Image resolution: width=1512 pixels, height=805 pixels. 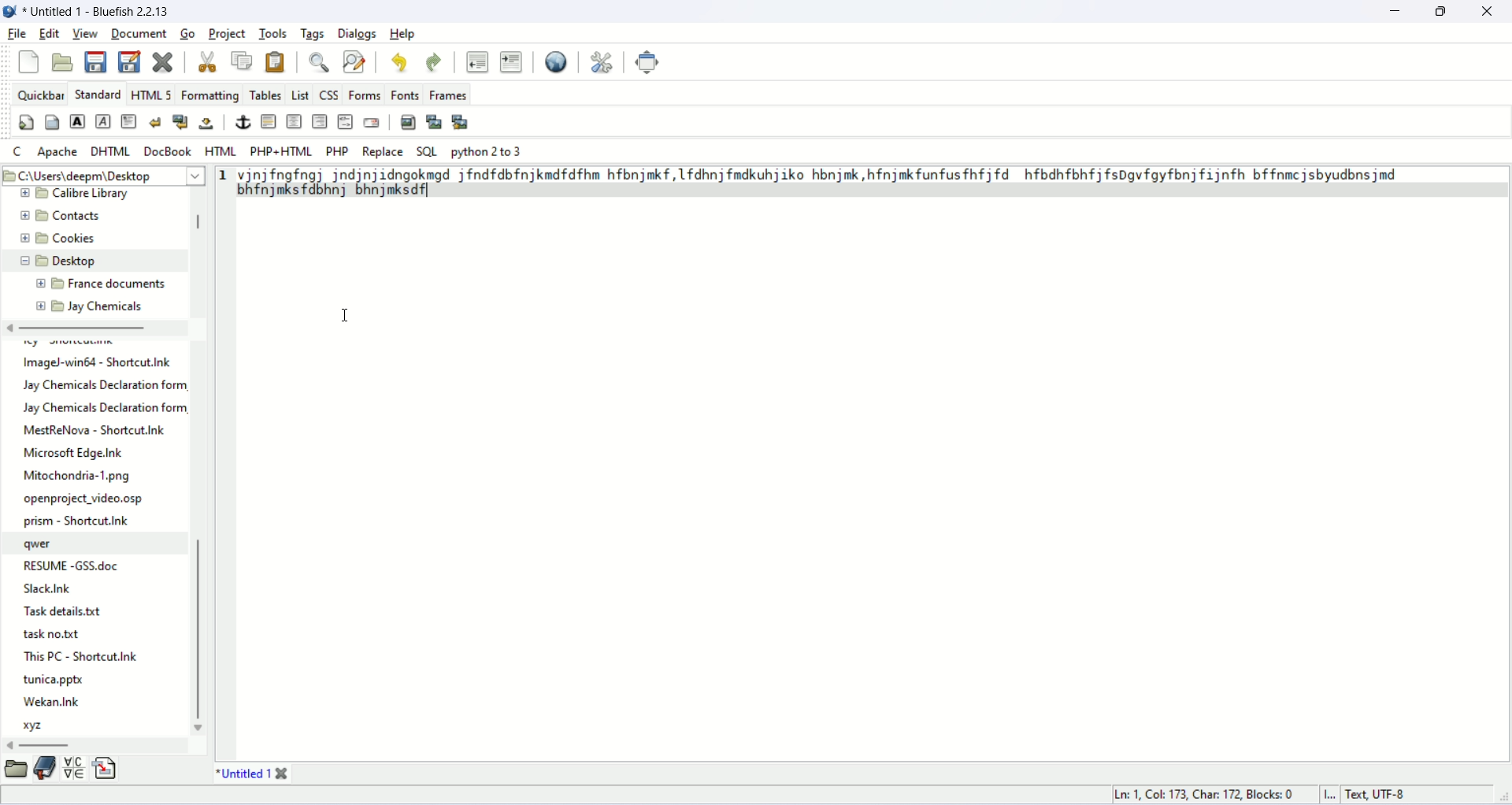 I want to click on tables, so click(x=265, y=94).